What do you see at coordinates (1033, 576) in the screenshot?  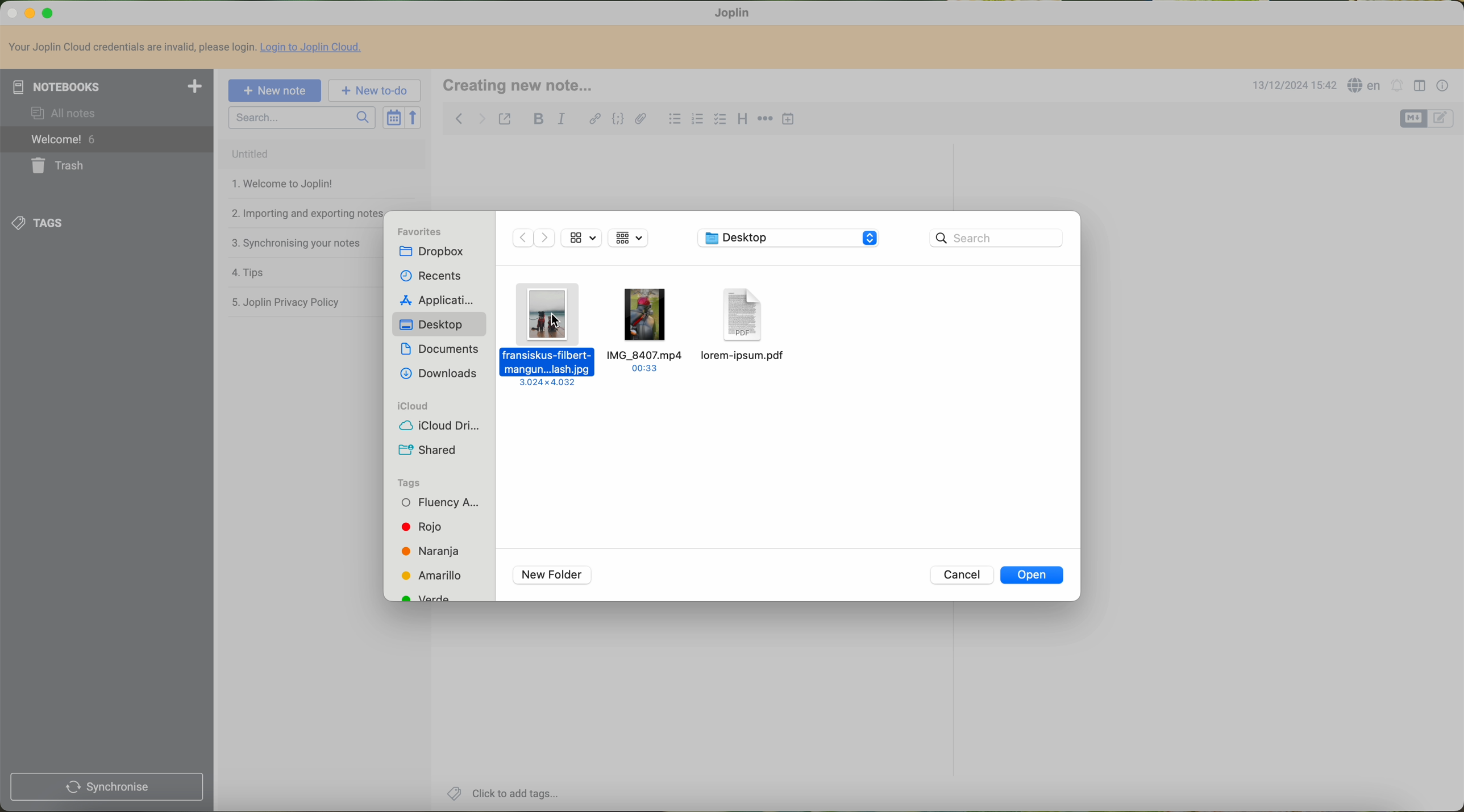 I see `disable open button` at bounding box center [1033, 576].